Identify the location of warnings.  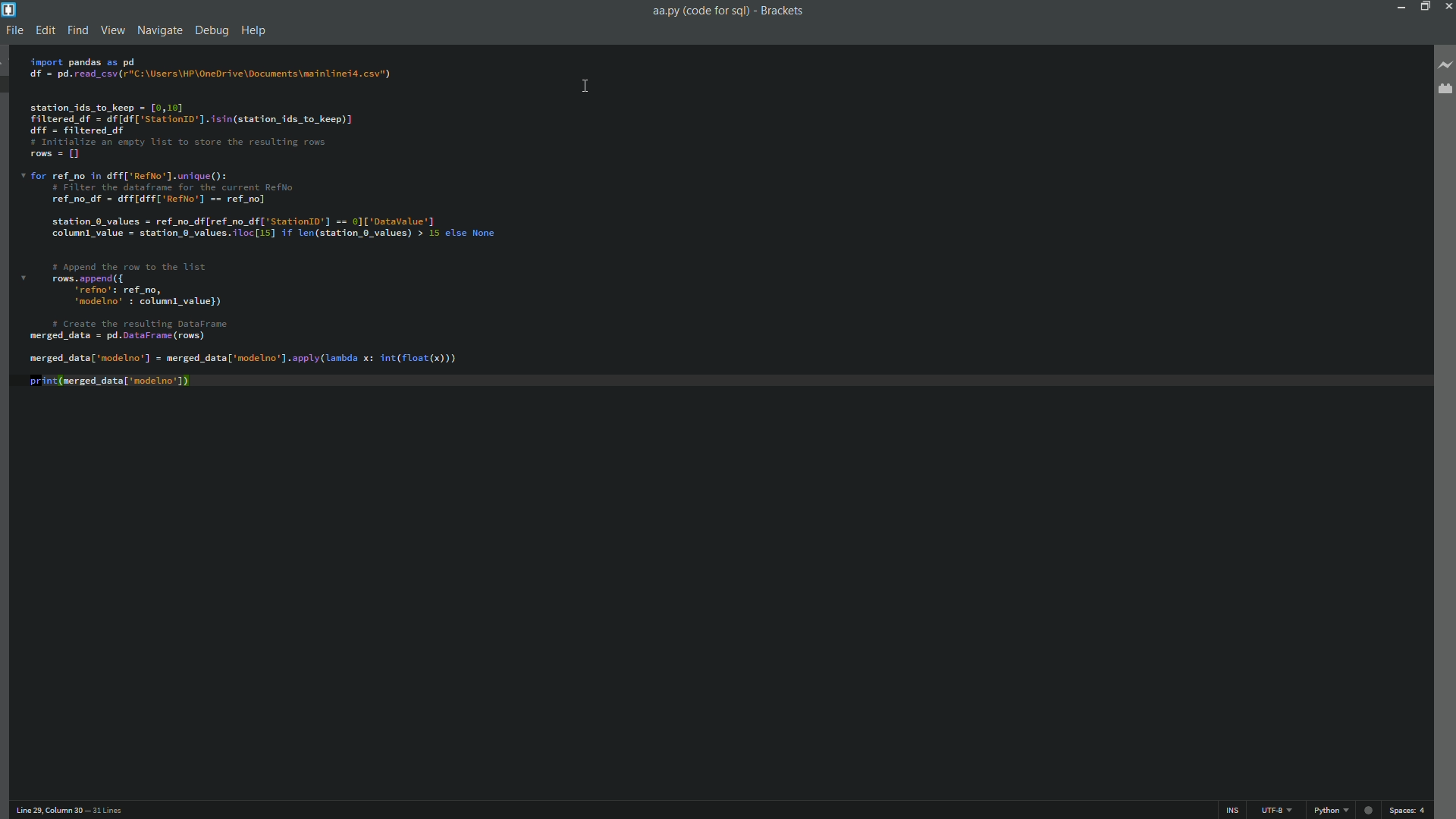
(1369, 810).